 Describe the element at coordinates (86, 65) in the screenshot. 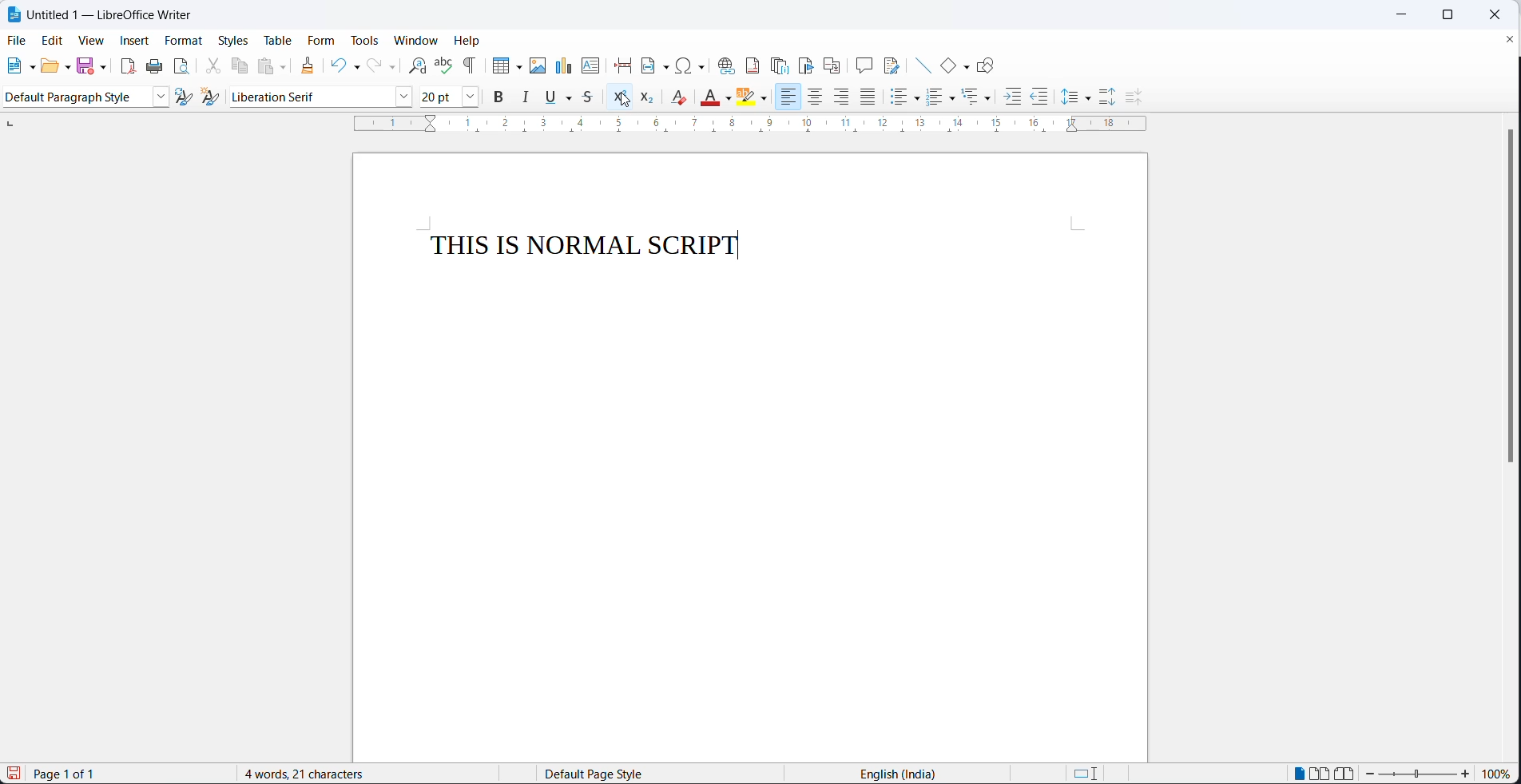

I see `save` at that location.